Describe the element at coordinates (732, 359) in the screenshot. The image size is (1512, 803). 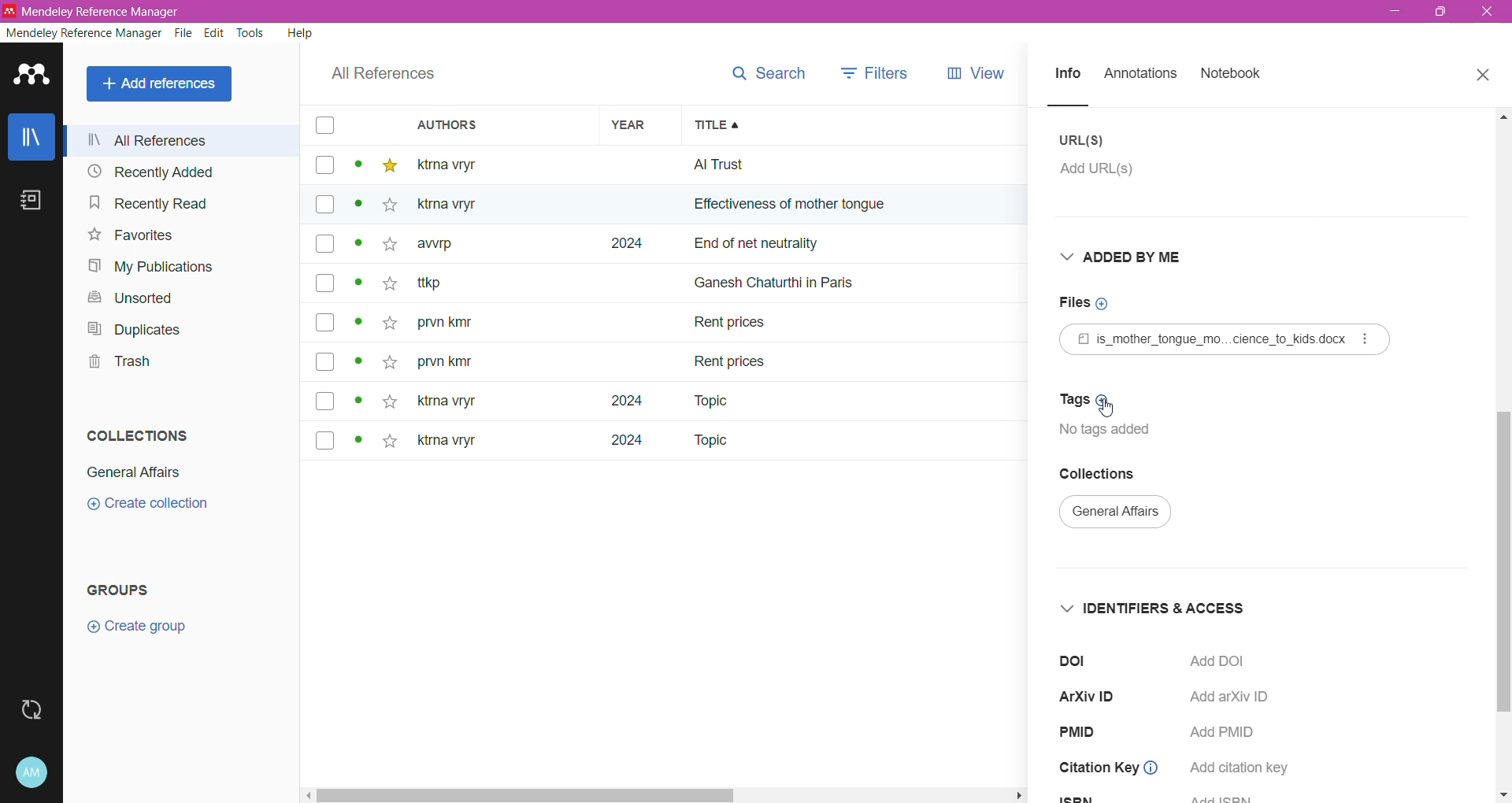
I see `rent prices ` at that location.